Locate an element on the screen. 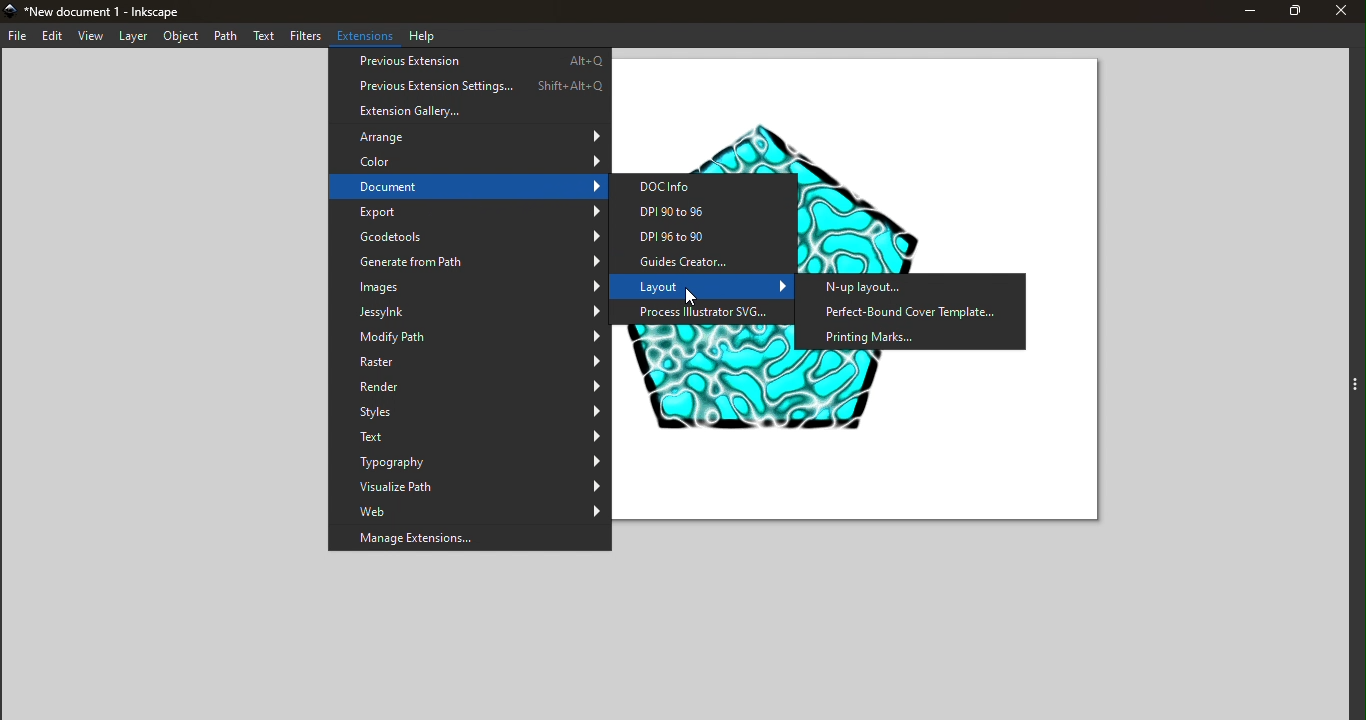 The width and height of the screenshot is (1366, 720). Path is located at coordinates (227, 38).